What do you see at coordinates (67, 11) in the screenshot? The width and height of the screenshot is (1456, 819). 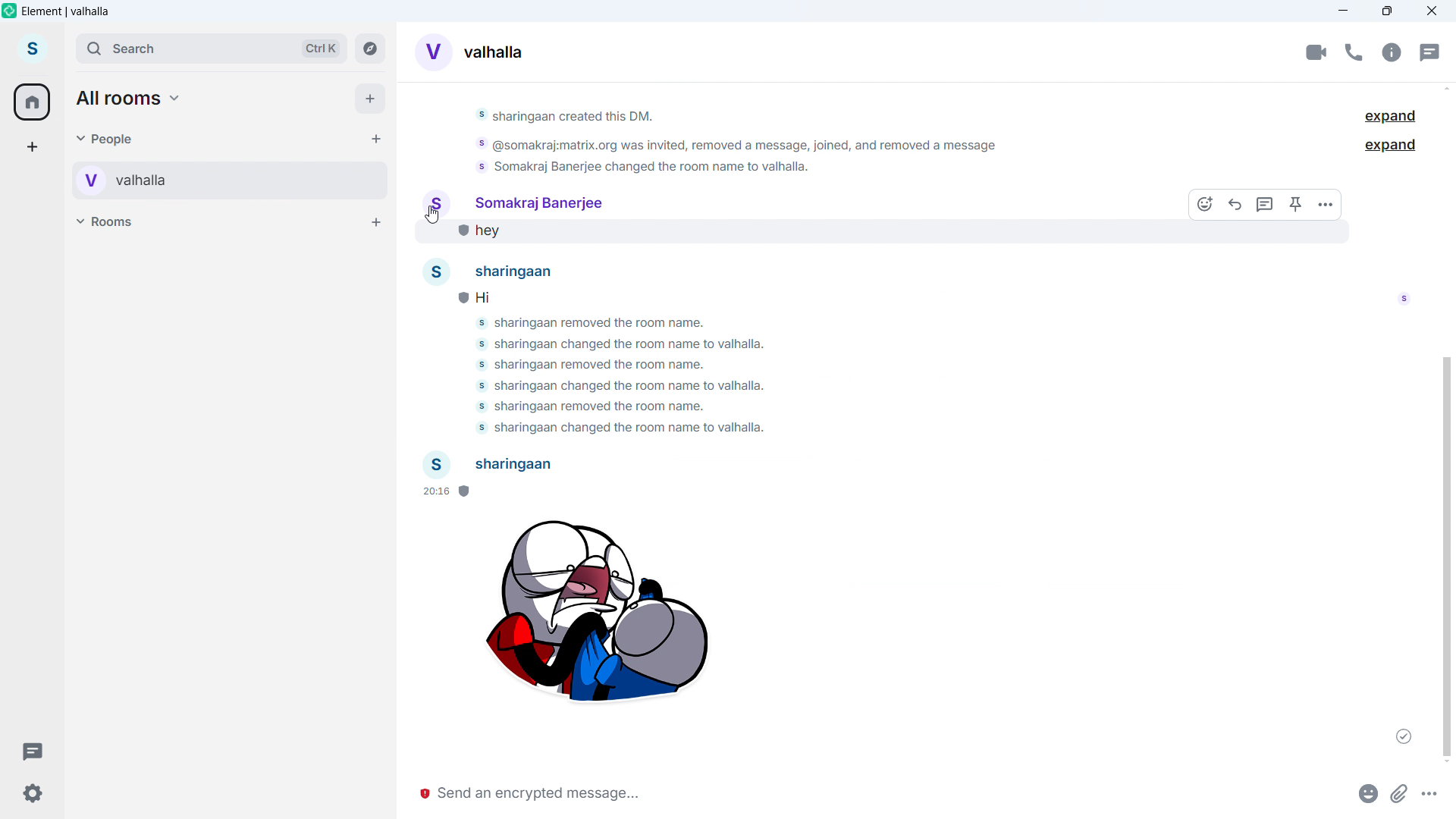 I see `element vahalla` at bounding box center [67, 11].